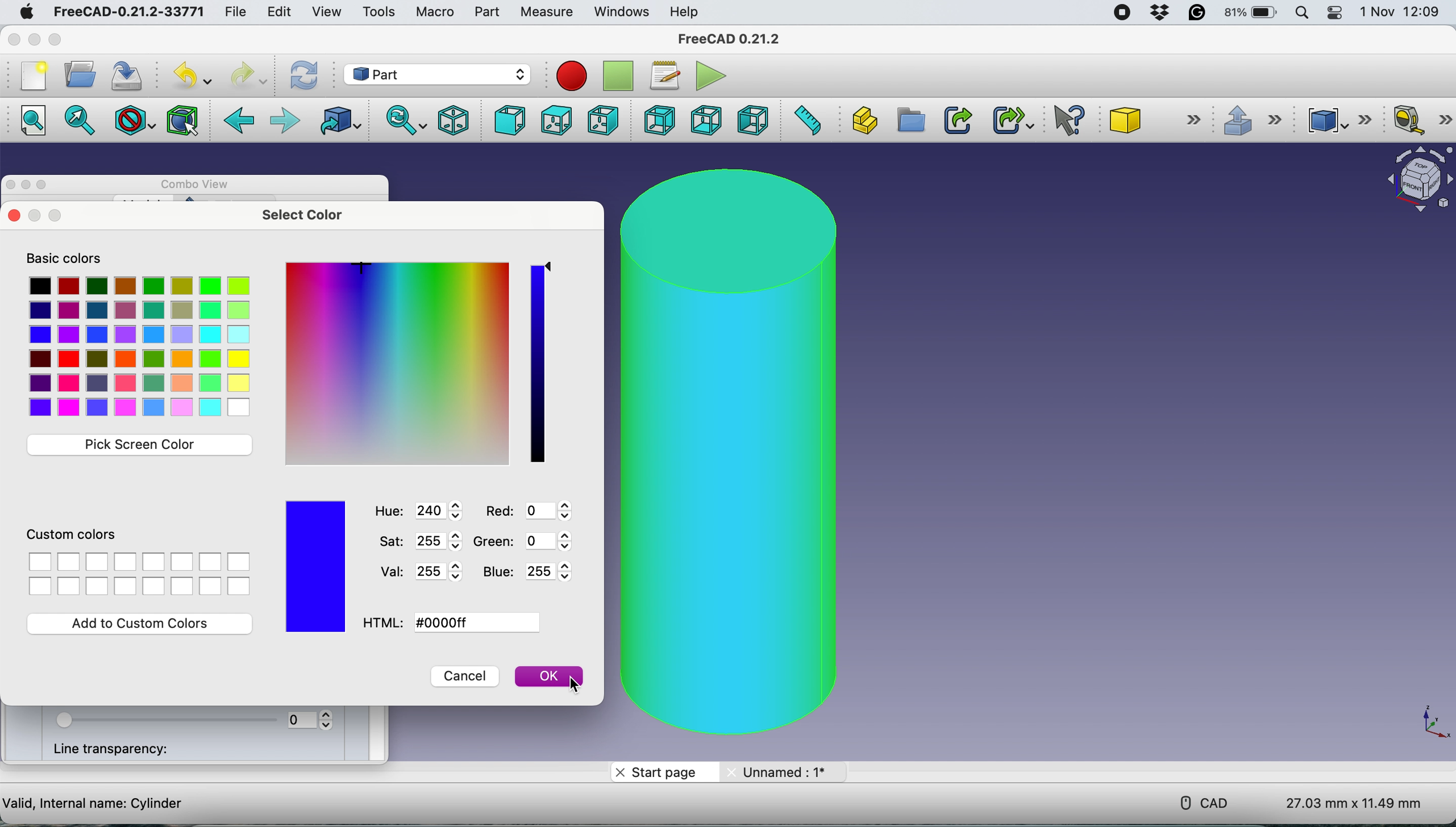  What do you see at coordinates (706, 74) in the screenshot?
I see `execute macros` at bounding box center [706, 74].